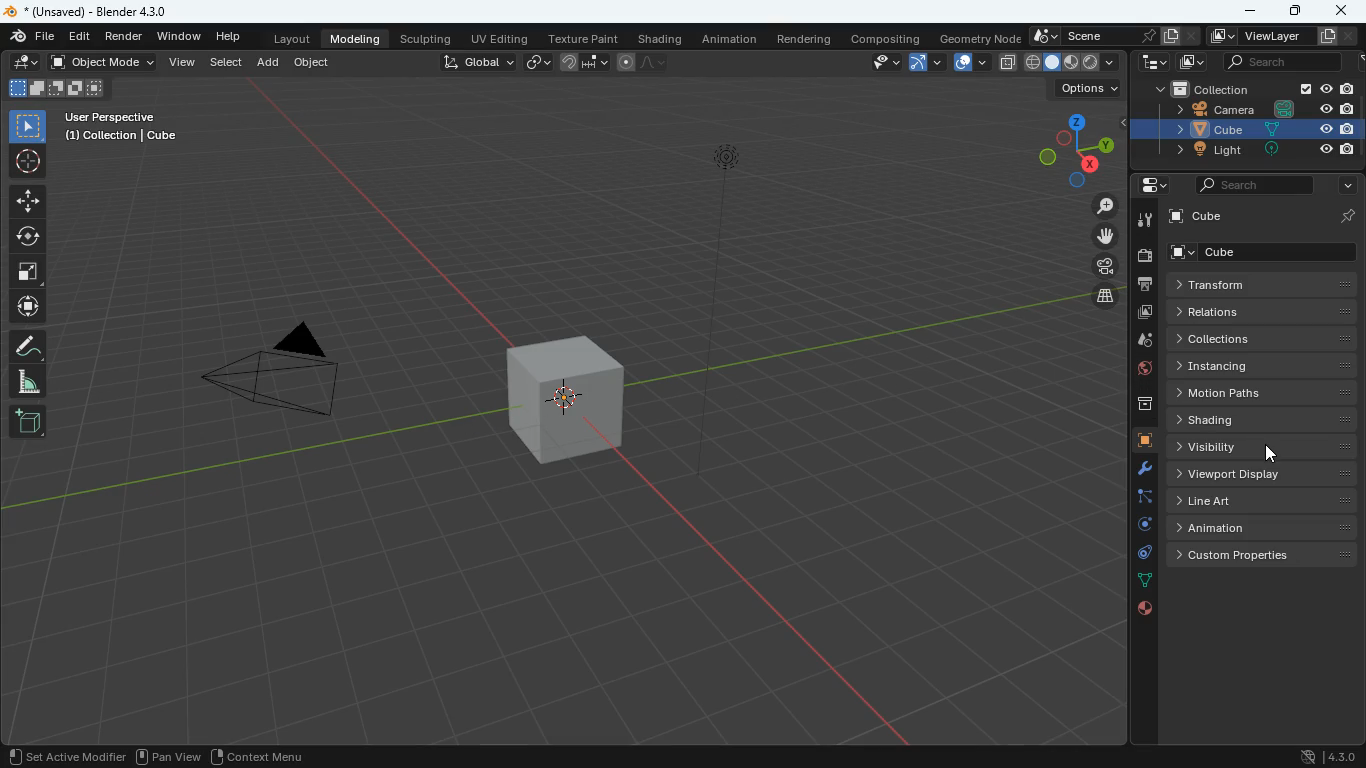  What do you see at coordinates (166, 755) in the screenshot?
I see `pan view` at bounding box center [166, 755].